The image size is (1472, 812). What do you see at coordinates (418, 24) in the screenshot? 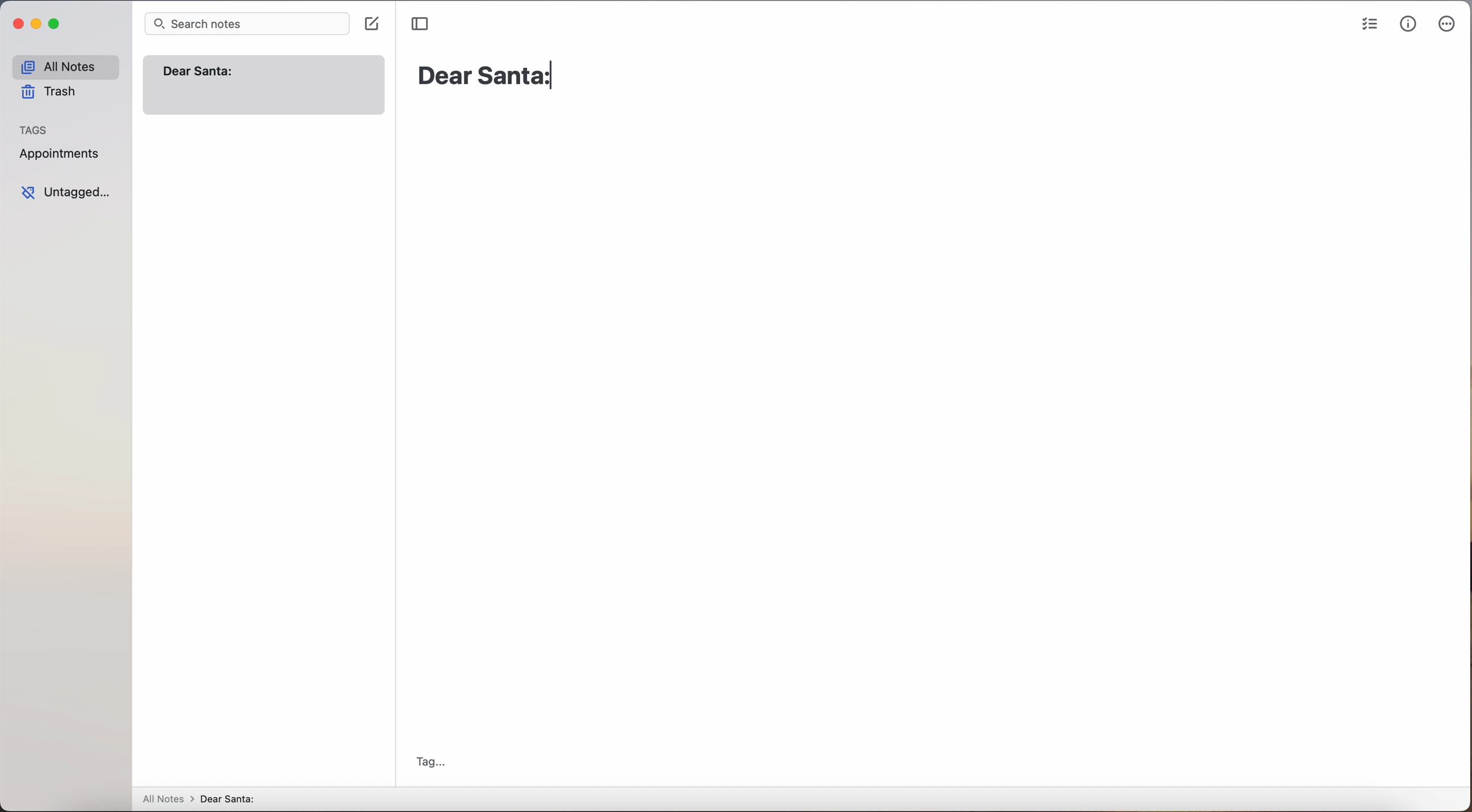
I see `toggle sidebar` at bounding box center [418, 24].